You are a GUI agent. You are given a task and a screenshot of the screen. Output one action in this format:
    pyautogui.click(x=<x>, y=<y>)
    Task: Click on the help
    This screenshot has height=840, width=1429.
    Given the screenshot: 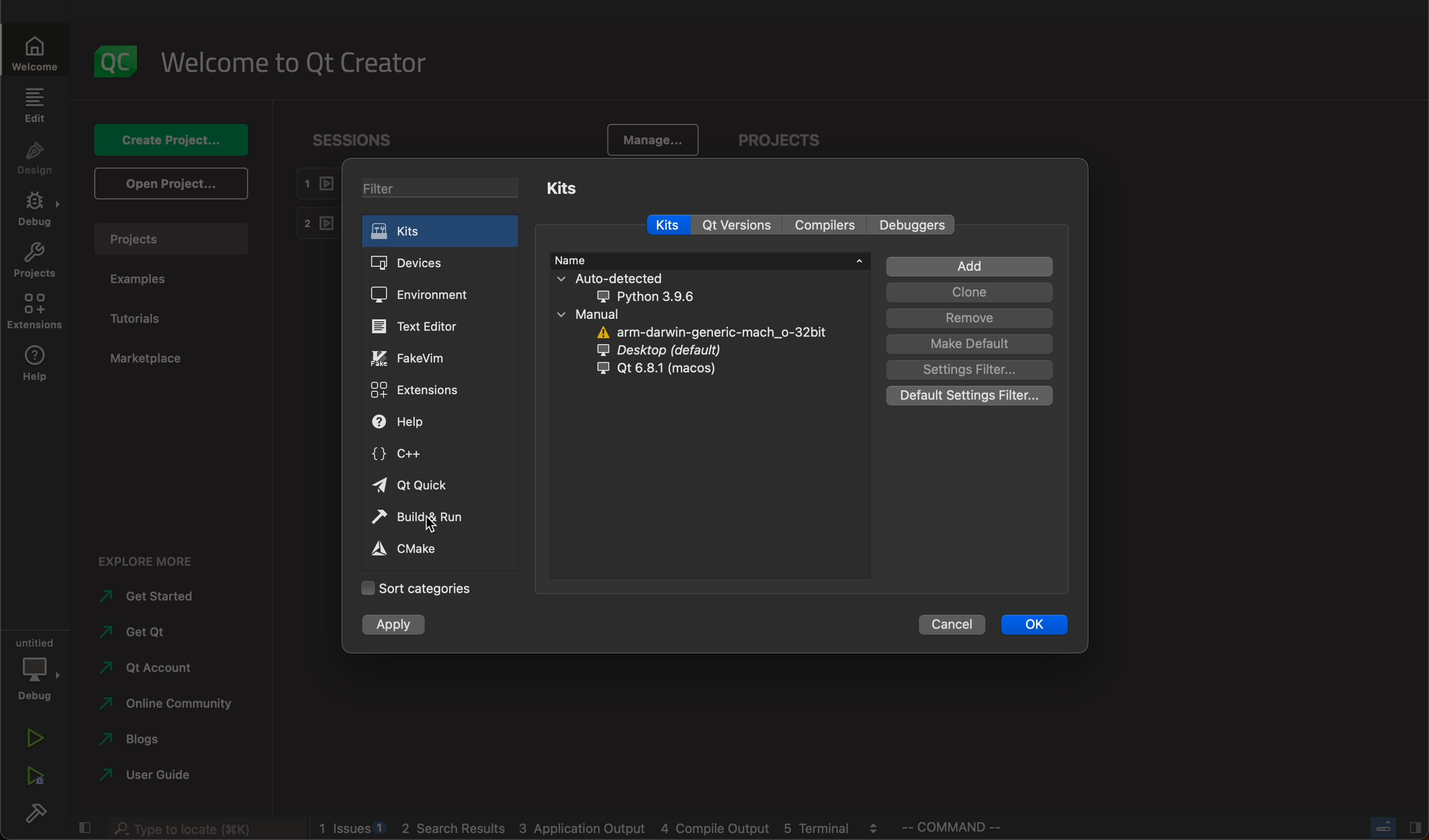 What is the action you would take?
    pyautogui.click(x=30, y=366)
    